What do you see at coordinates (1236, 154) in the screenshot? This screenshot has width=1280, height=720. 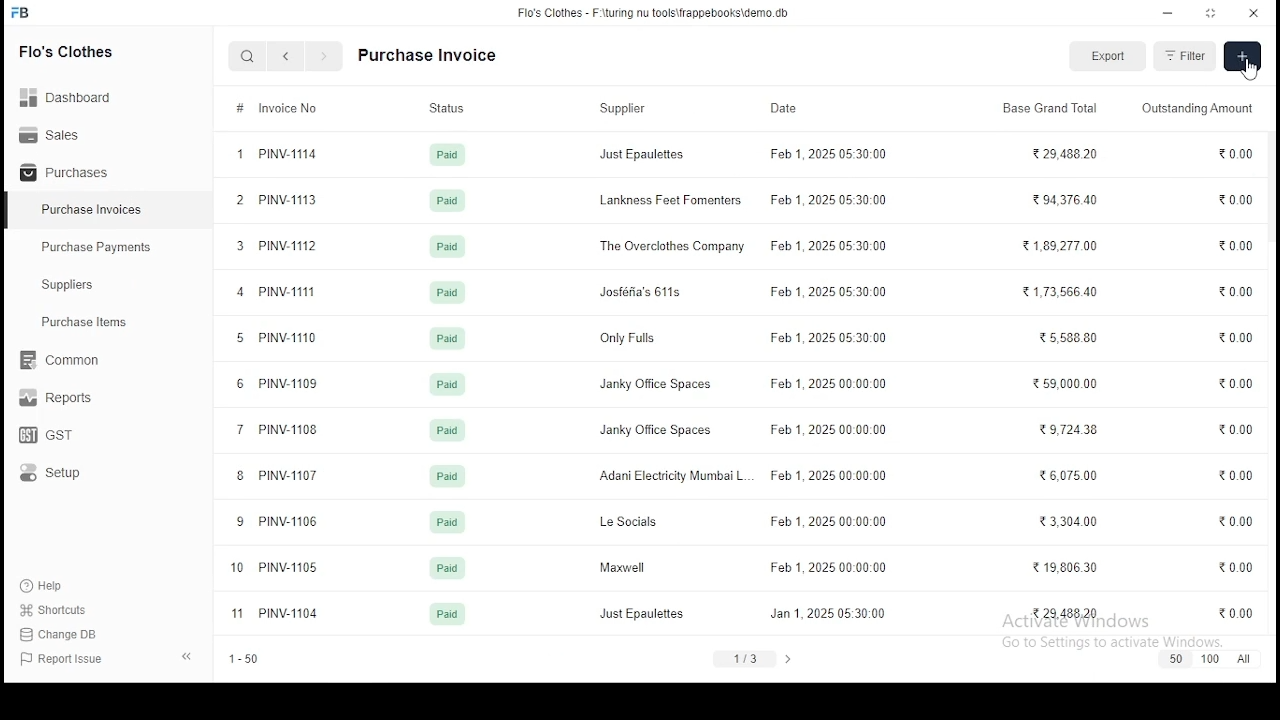 I see `0.00` at bounding box center [1236, 154].